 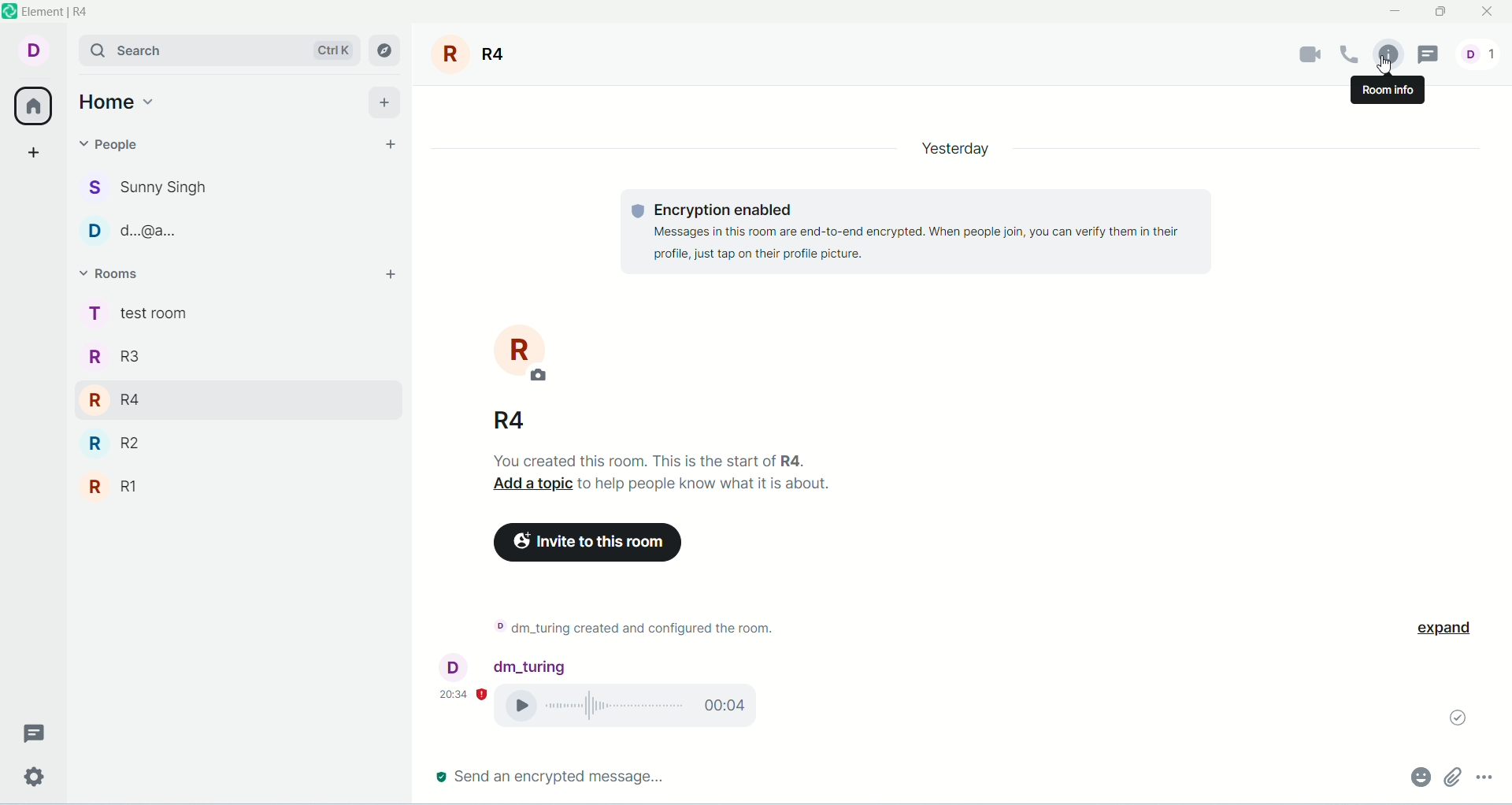 What do you see at coordinates (464, 692) in the screenshot?
I see `time` at bounding box center [464, 692].